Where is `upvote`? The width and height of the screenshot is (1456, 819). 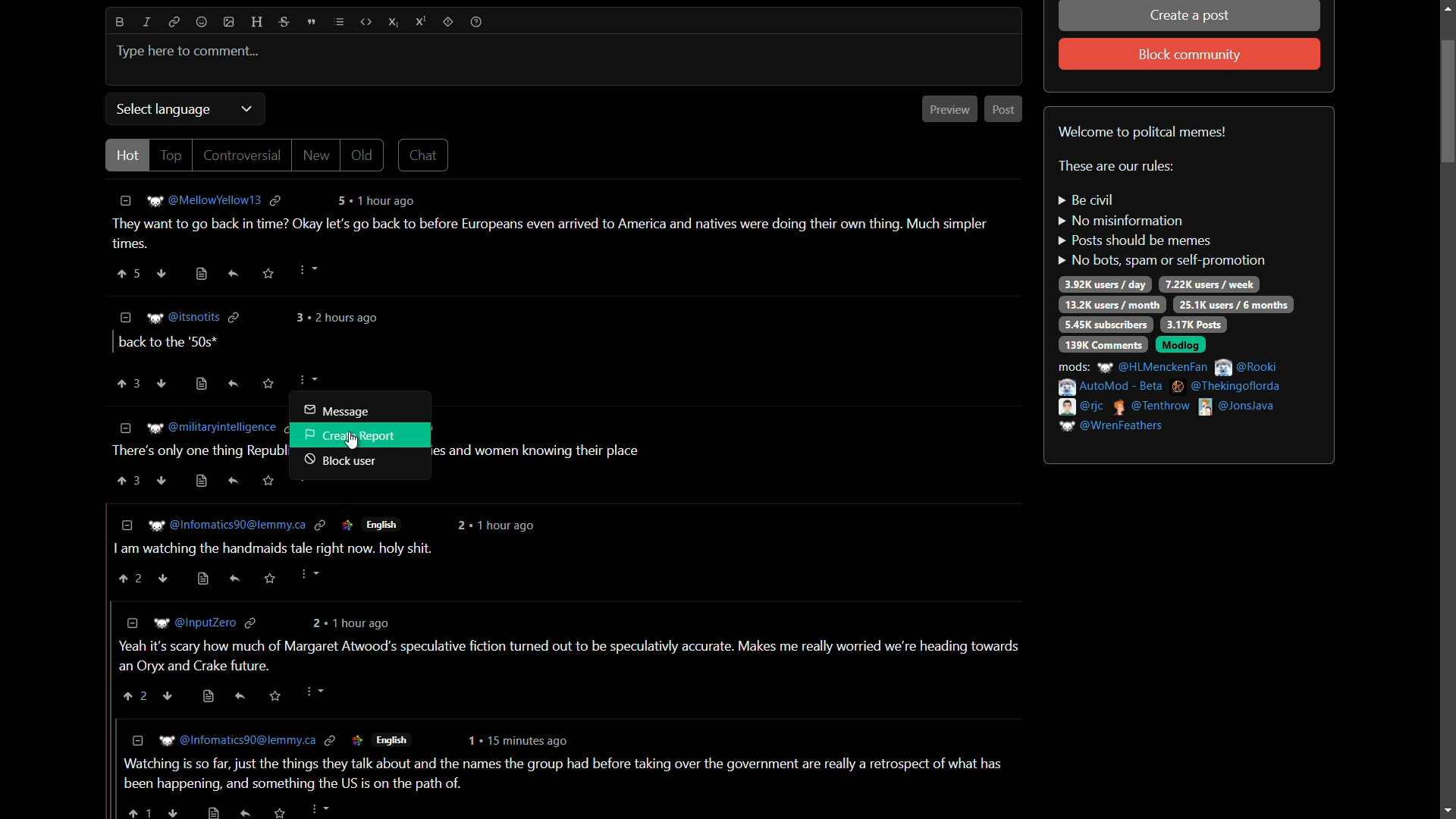
upvote is located at coordinates (128, 382).